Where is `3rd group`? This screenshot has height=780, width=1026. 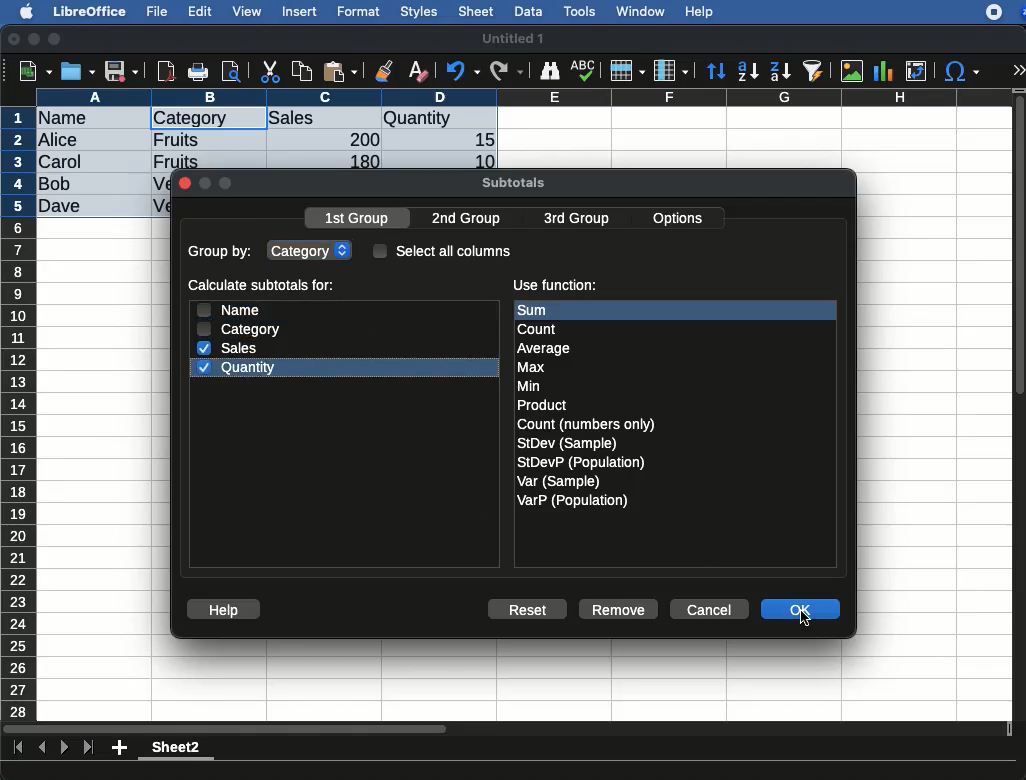
3rd group is located at coordinates (576, 220).